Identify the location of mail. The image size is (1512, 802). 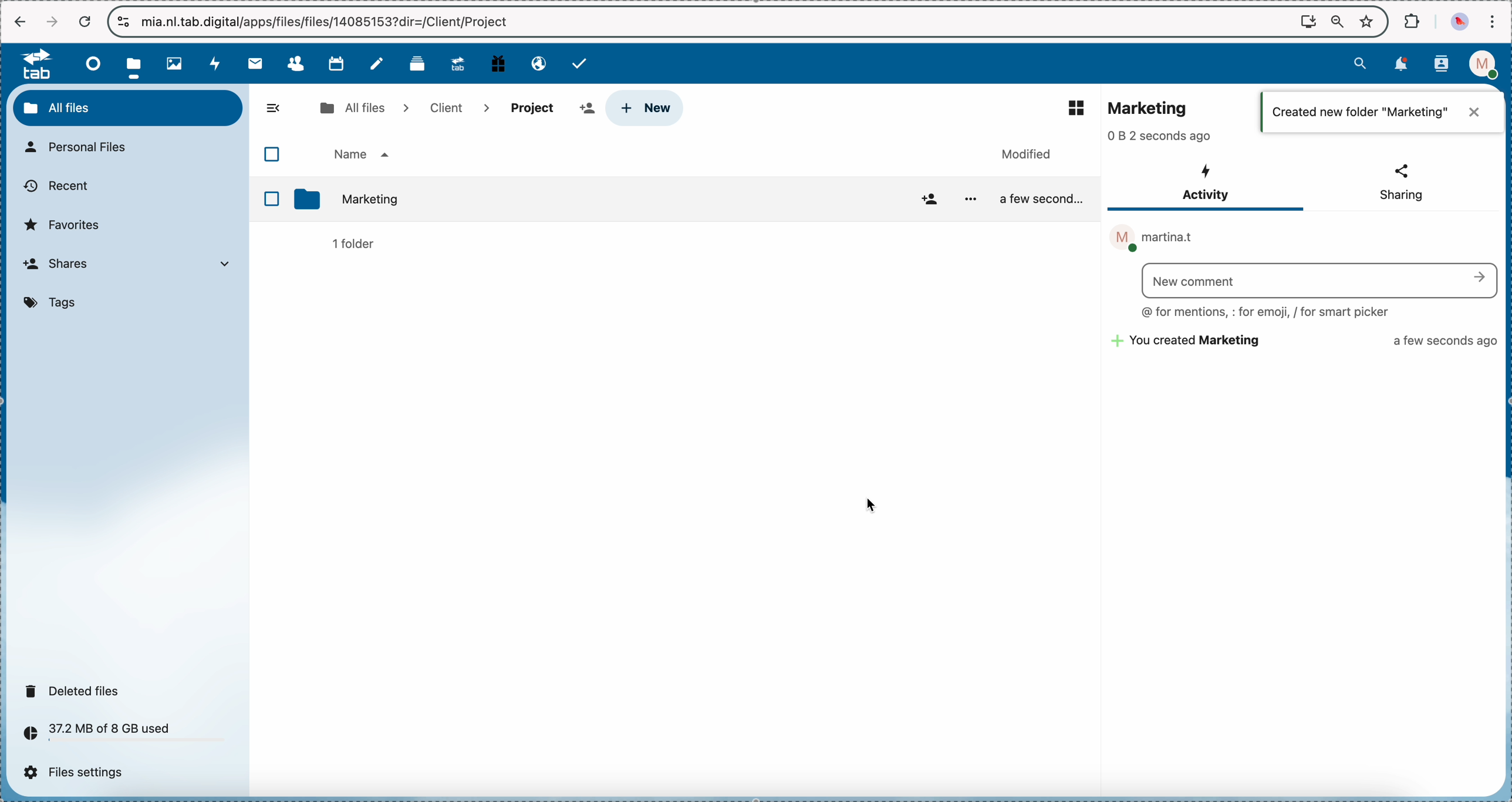
(254, 63).